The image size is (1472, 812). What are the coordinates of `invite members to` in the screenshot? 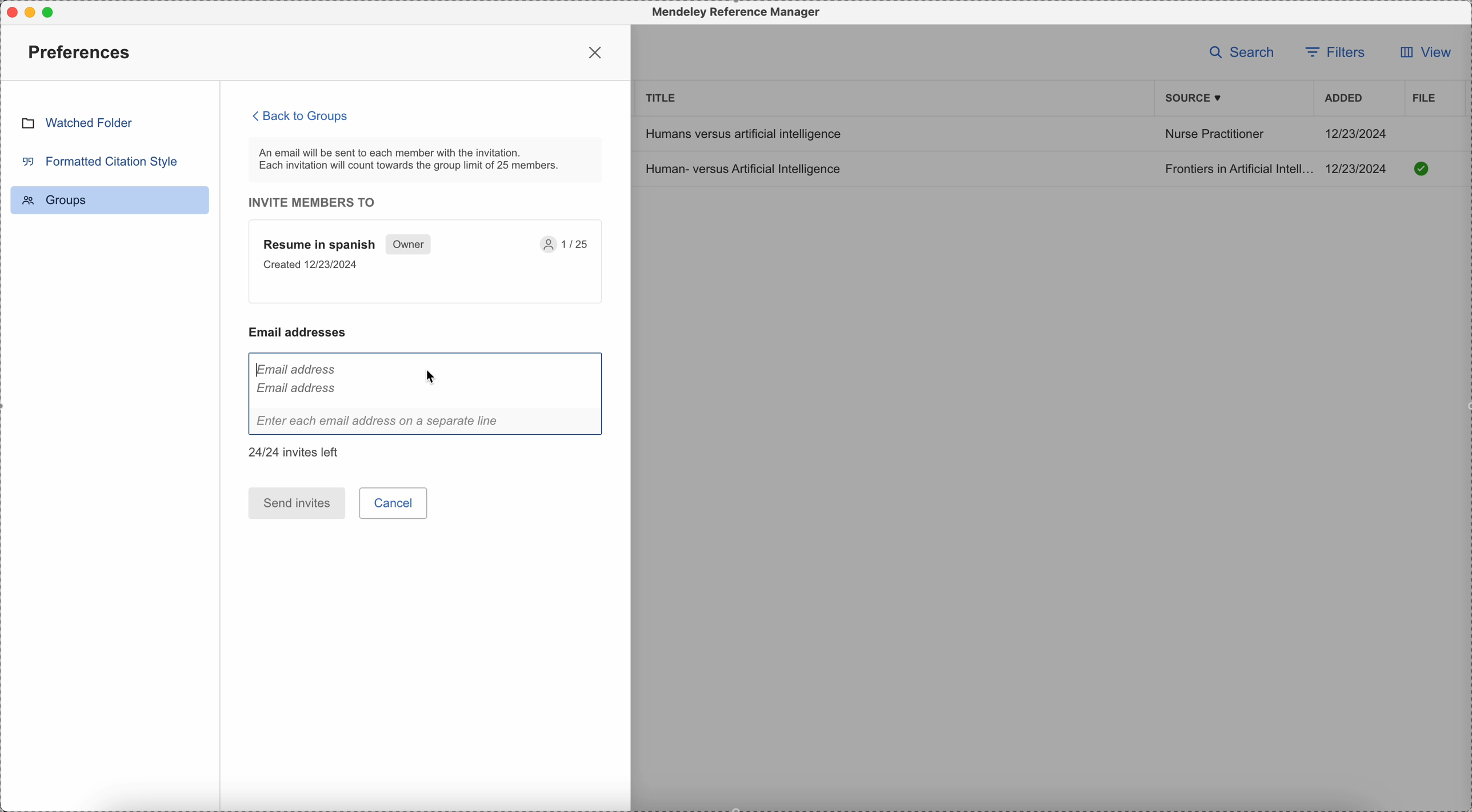 It's located at (318, 202).